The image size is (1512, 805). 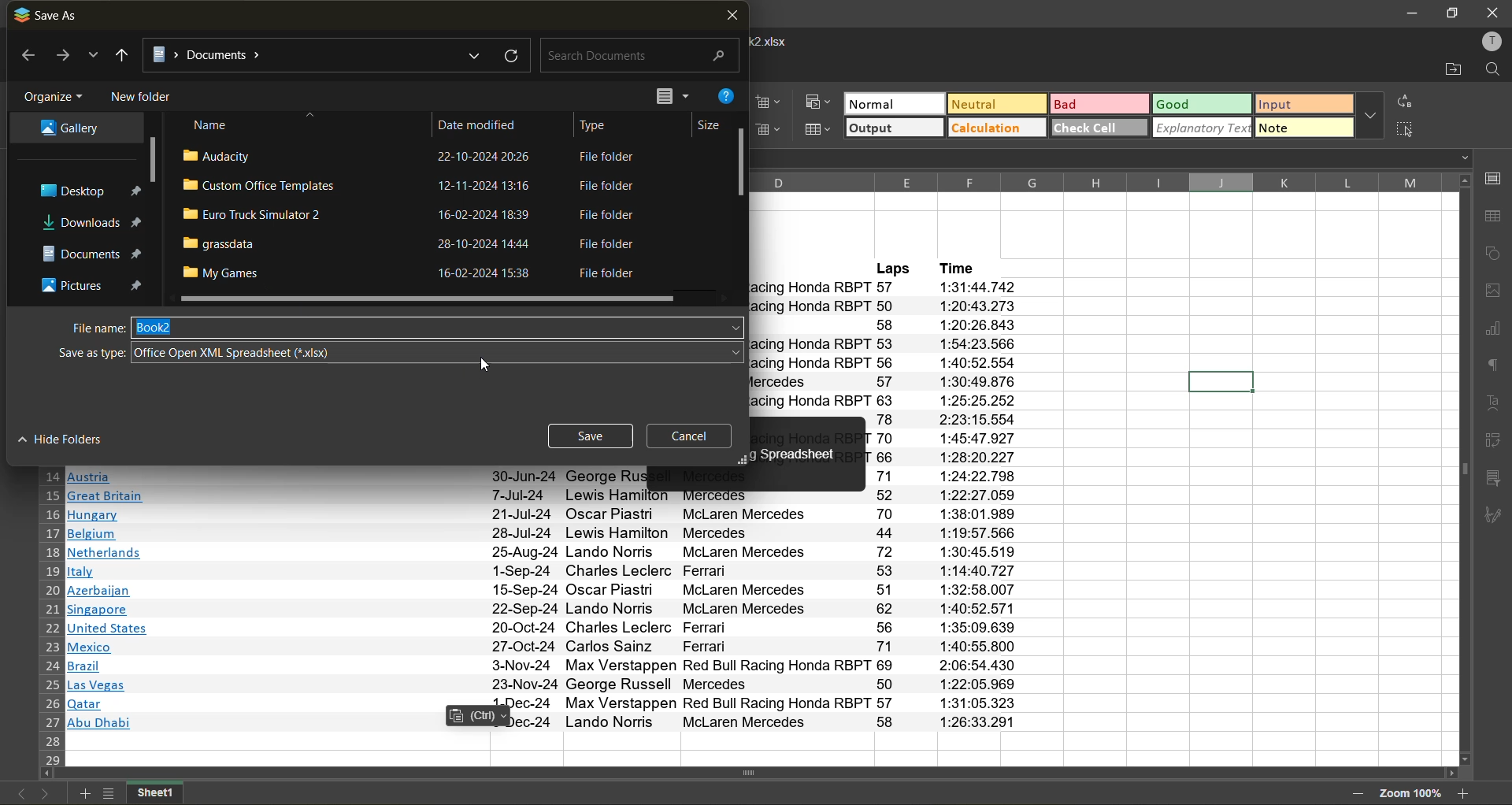 What do you see at coordinates (1451, 13) in the screenshot?
I see `restore down` at bounding box center [1451, 13].